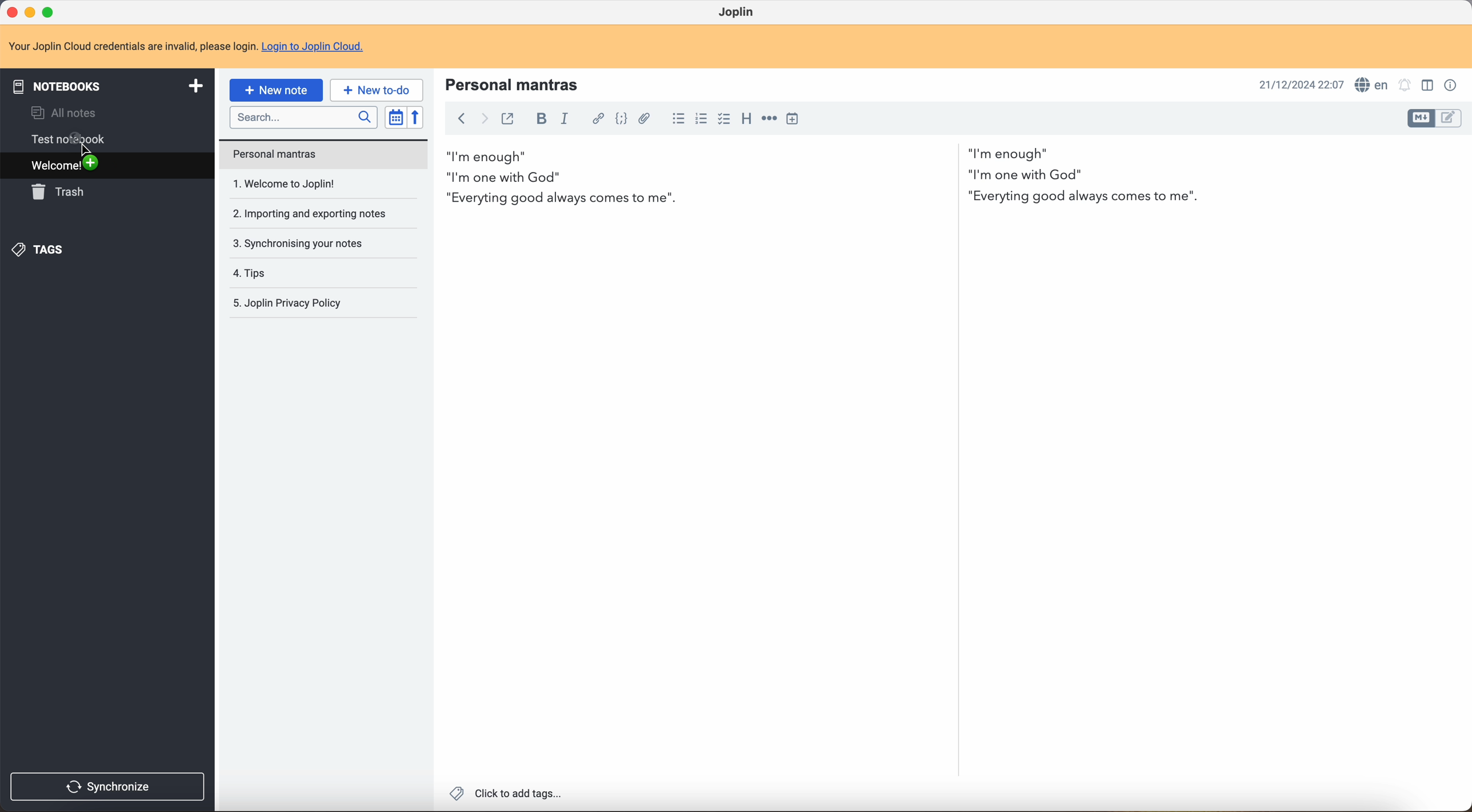 The height and width of the screenshot is (812, 1472). I want to click on attach file, so click(646, 119).